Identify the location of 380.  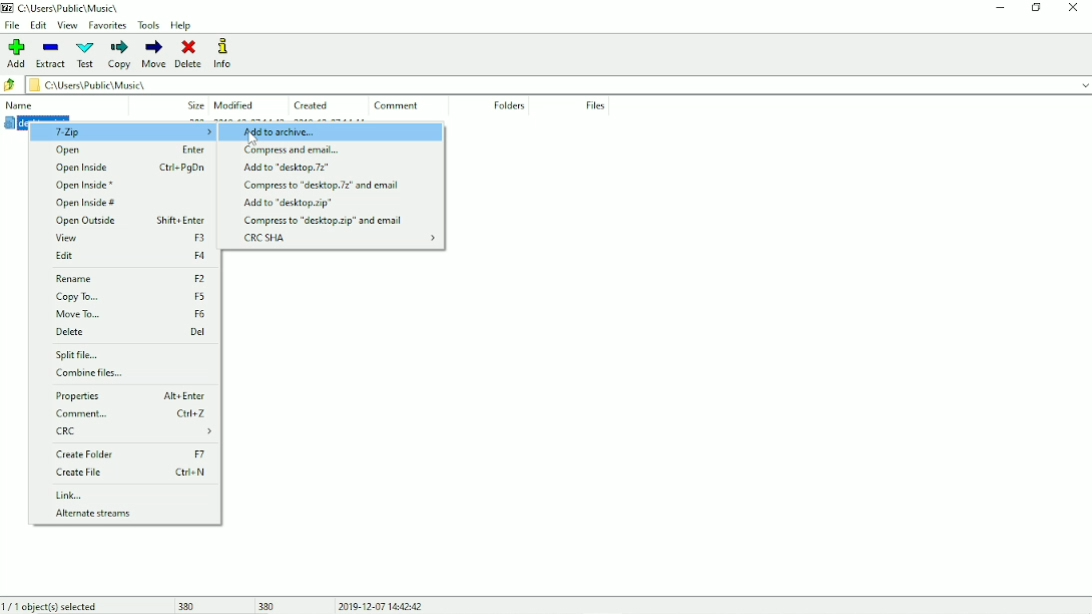
(268, 605).